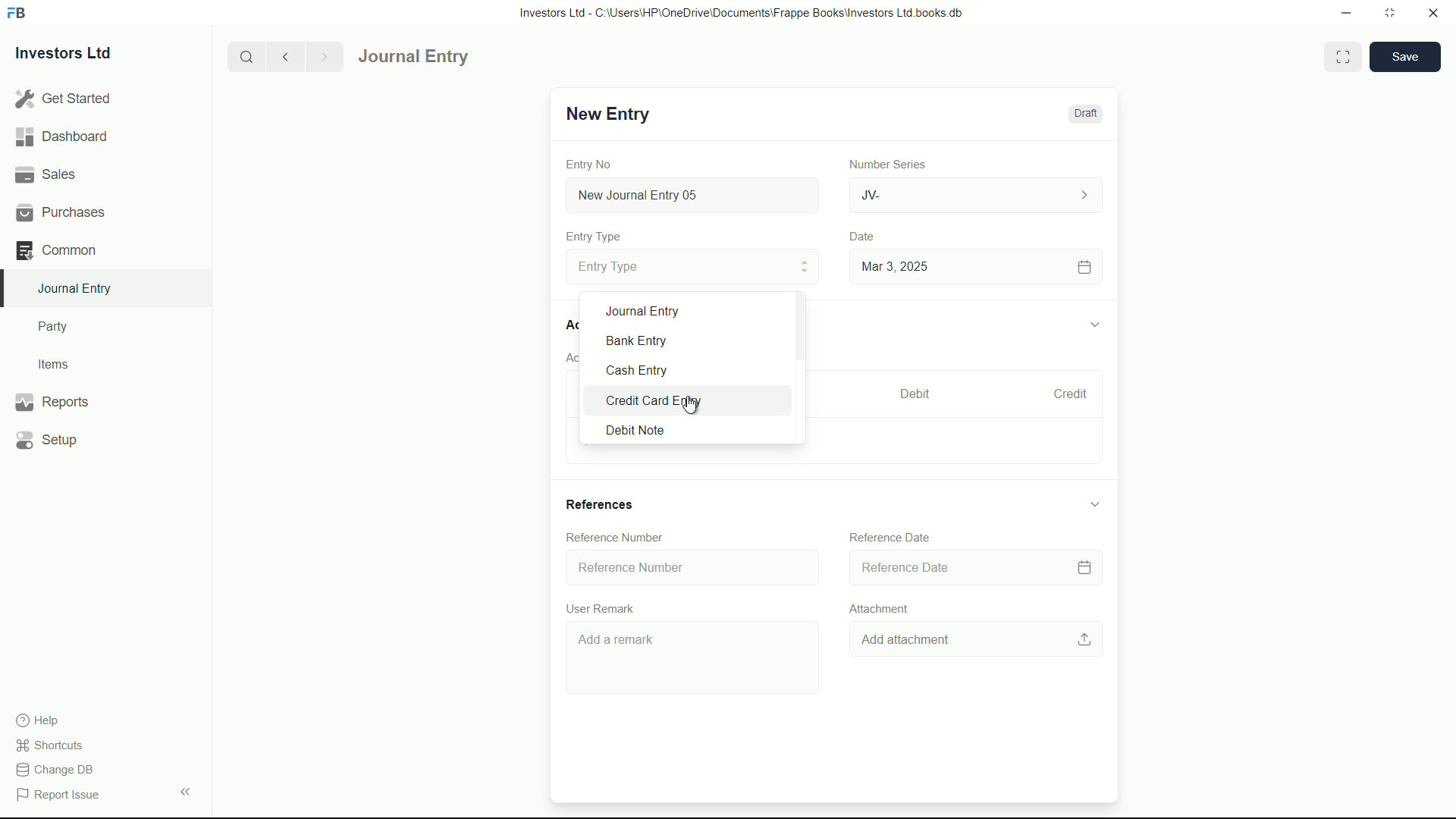  Describe the element at coordinates (654, 431) in the screenshot. I see `Debit Note` at that location.